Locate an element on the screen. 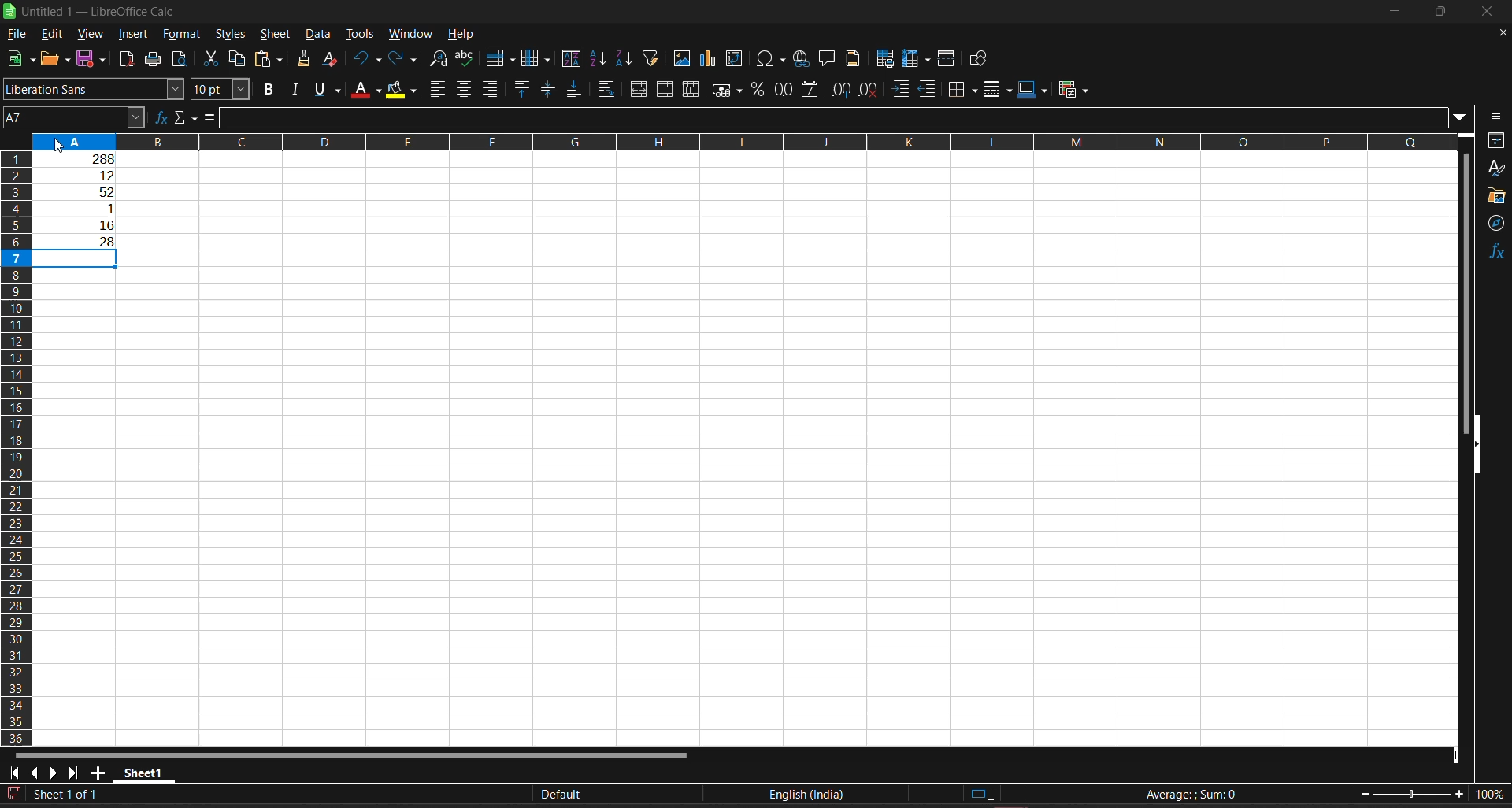 This screenshot has width=1512, height=808. align center is located at coordinates (465, 89).